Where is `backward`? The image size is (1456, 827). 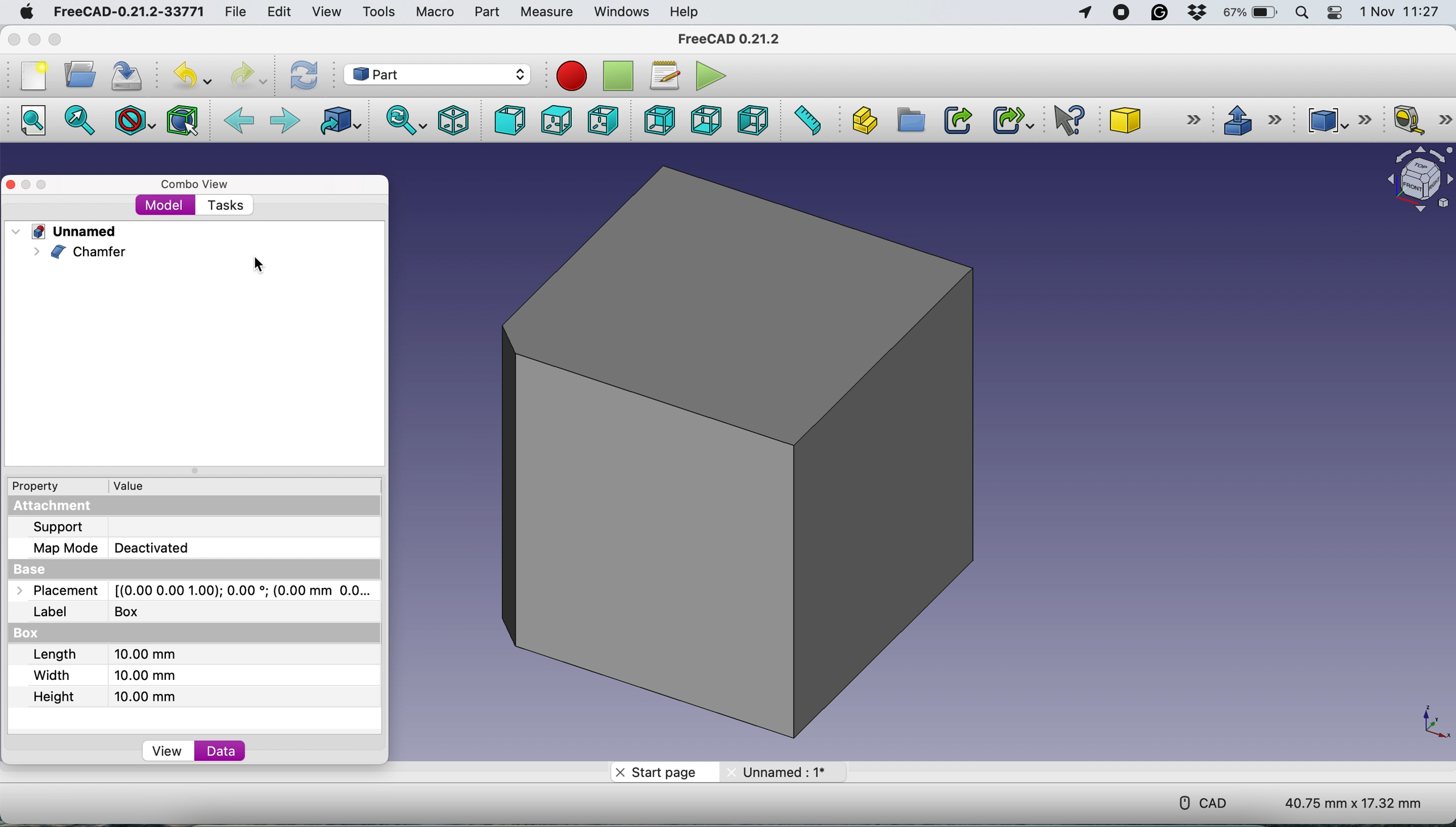 backward is located at coordinates (240, 119).